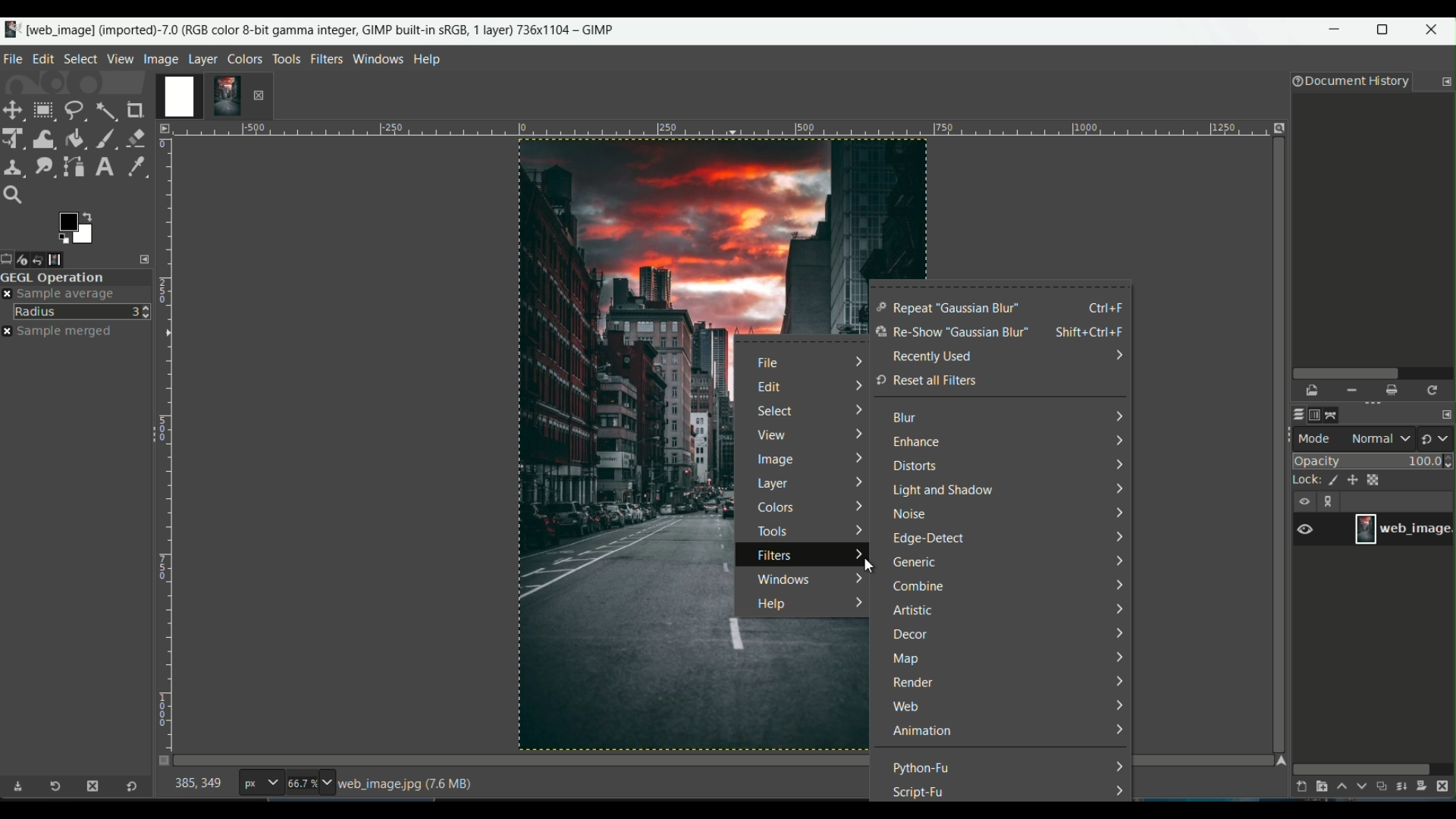 This screenshot has width=1456, height=819. Describe the element at coordinates (1426, 786) in the screenshot. I see `add a mask` at that location.